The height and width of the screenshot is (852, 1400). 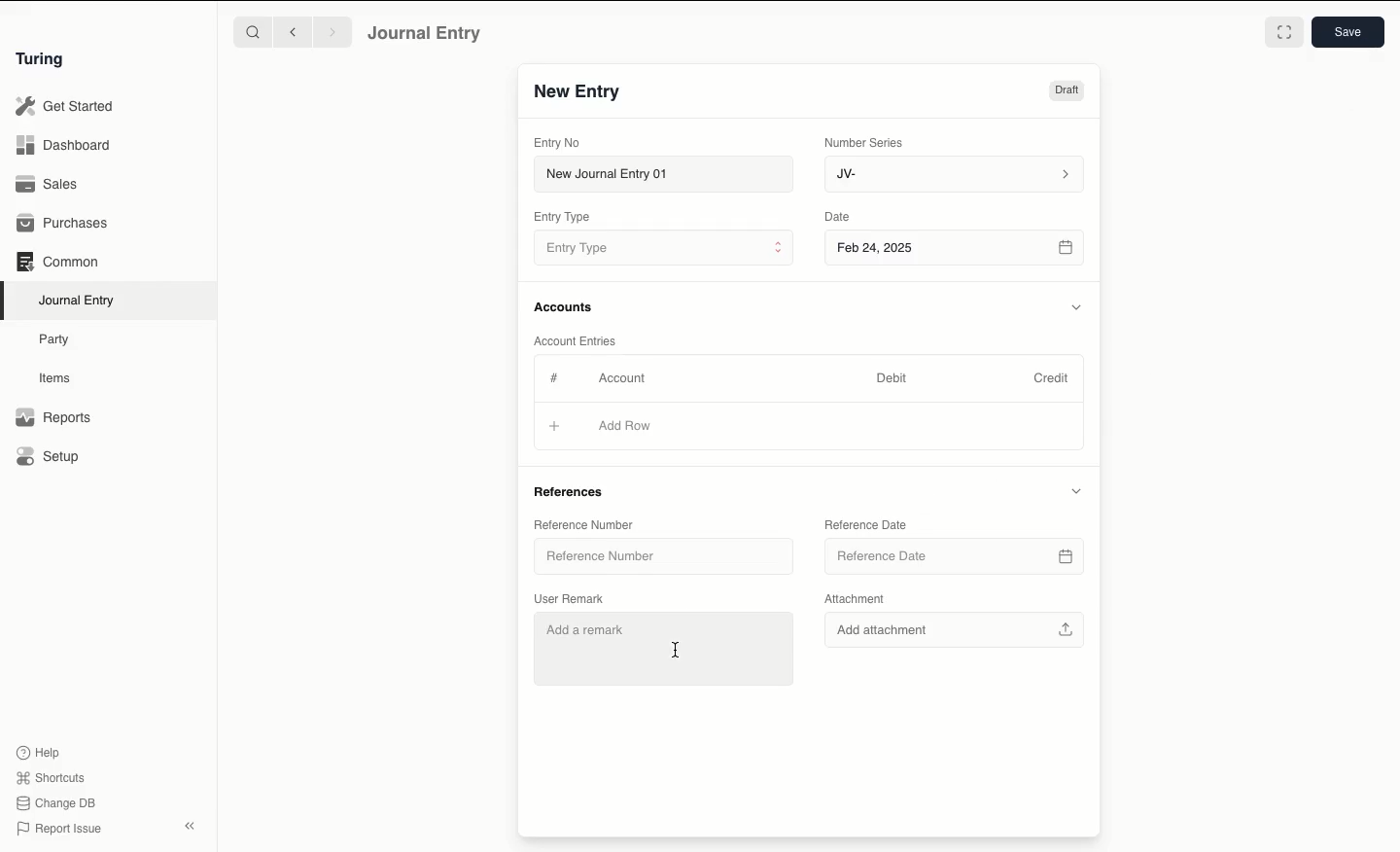 What do you see at coordinates (867, 143) in the screenshot?
I see `Number Series` at bounding box center [867, 143].